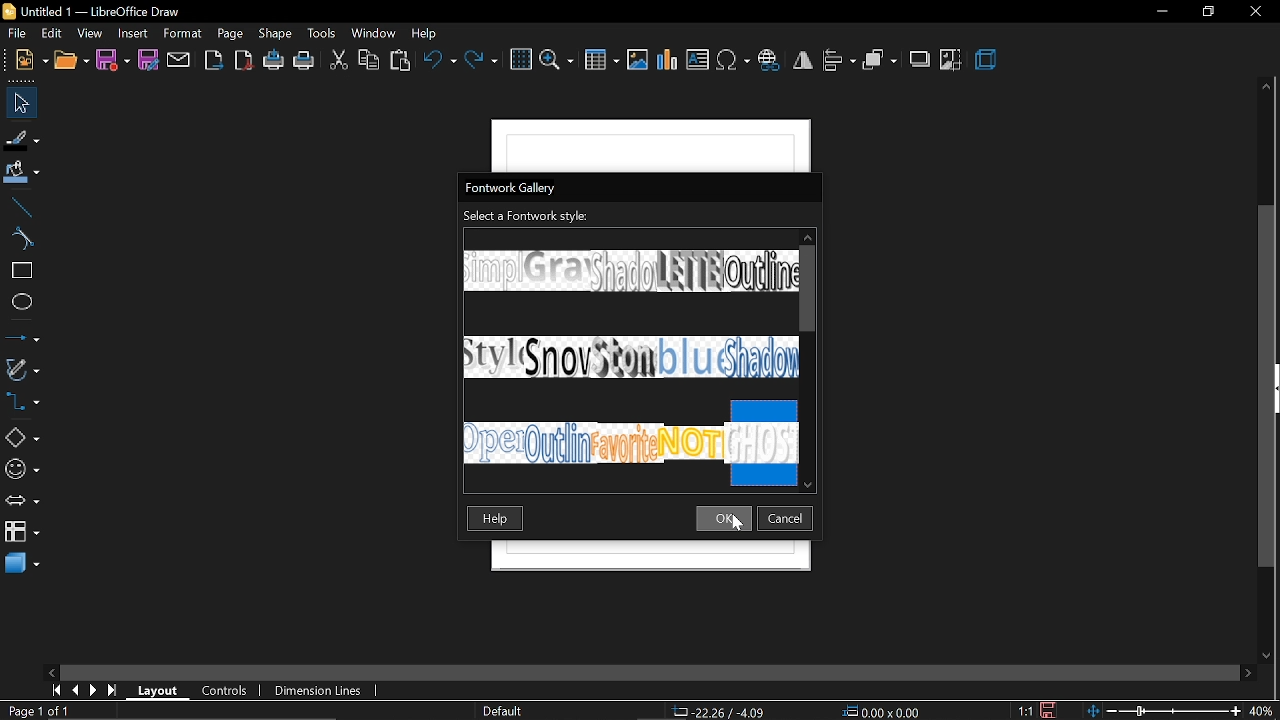 The image size is (1280, 720). What do you see at coordinates (482, 62) in the screenshot?
I see `redo` at bounding box center [482, 62].